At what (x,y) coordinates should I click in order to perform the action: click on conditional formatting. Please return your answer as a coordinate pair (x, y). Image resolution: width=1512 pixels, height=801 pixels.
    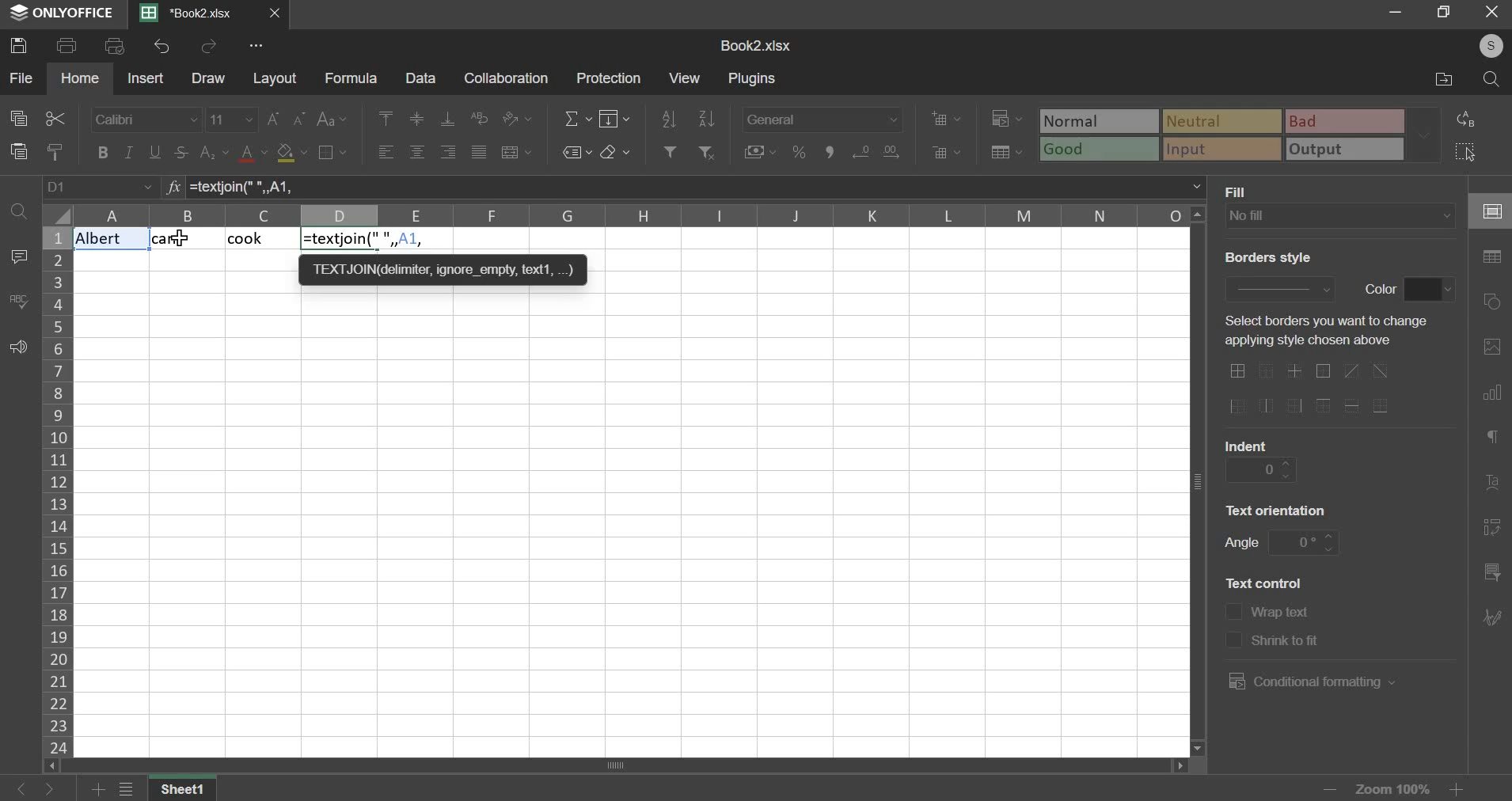
    Looking at the image, I should click on (1309, 681).